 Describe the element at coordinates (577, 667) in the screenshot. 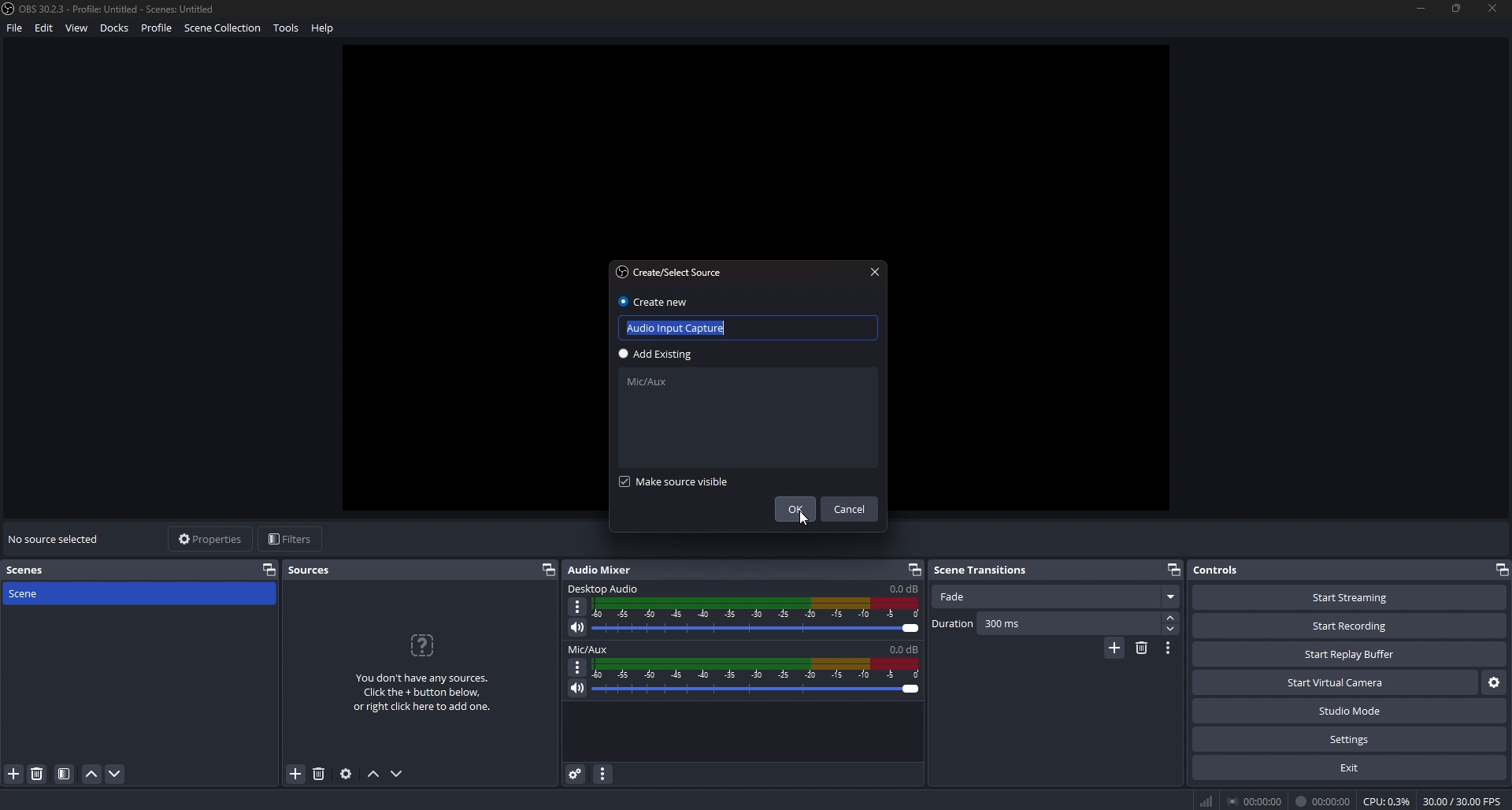

I see `options` at that location.